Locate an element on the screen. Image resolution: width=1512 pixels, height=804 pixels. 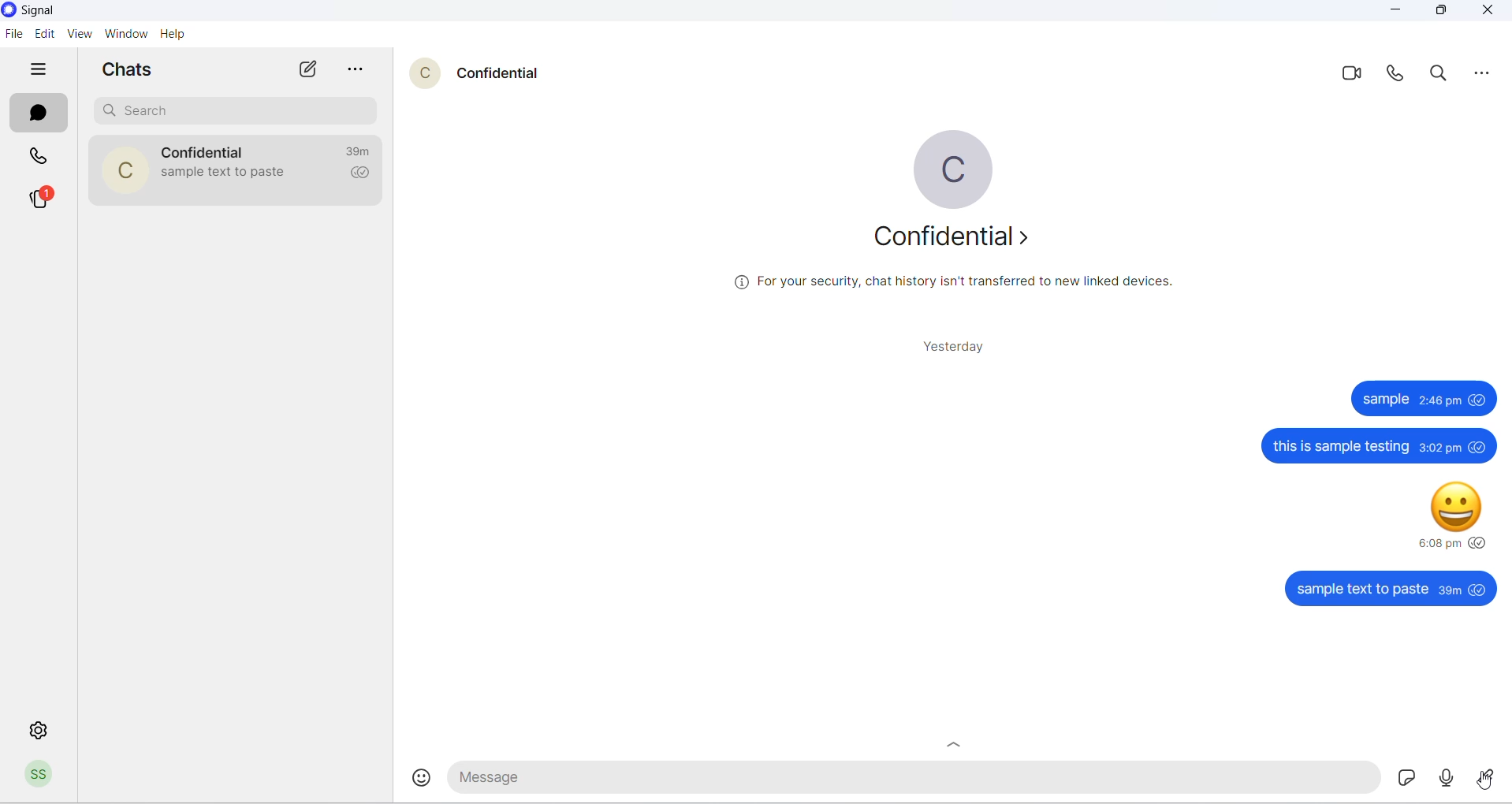
about contact is located at coordinates (950, 236).